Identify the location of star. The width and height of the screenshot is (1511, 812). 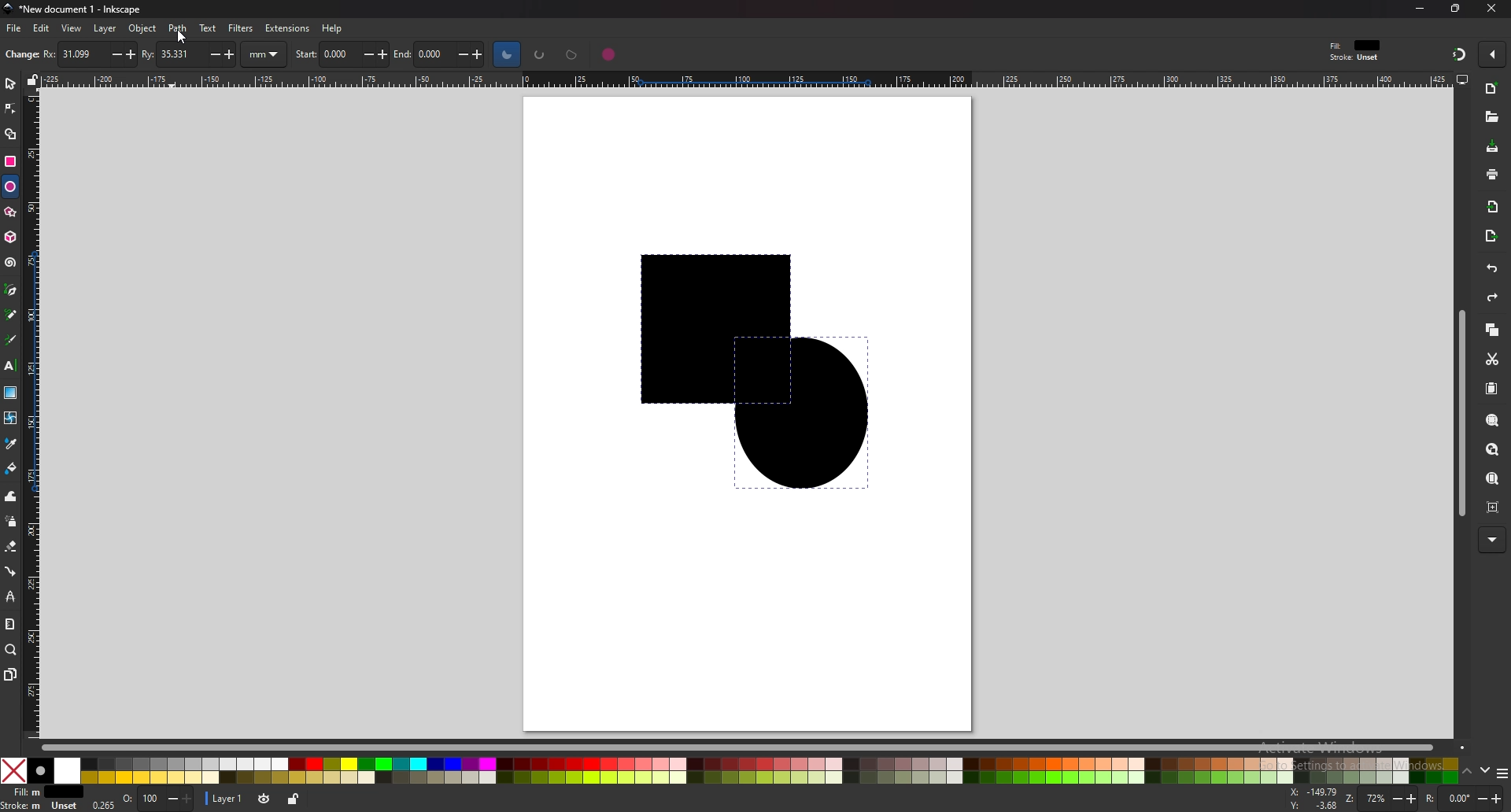
(10, 212).